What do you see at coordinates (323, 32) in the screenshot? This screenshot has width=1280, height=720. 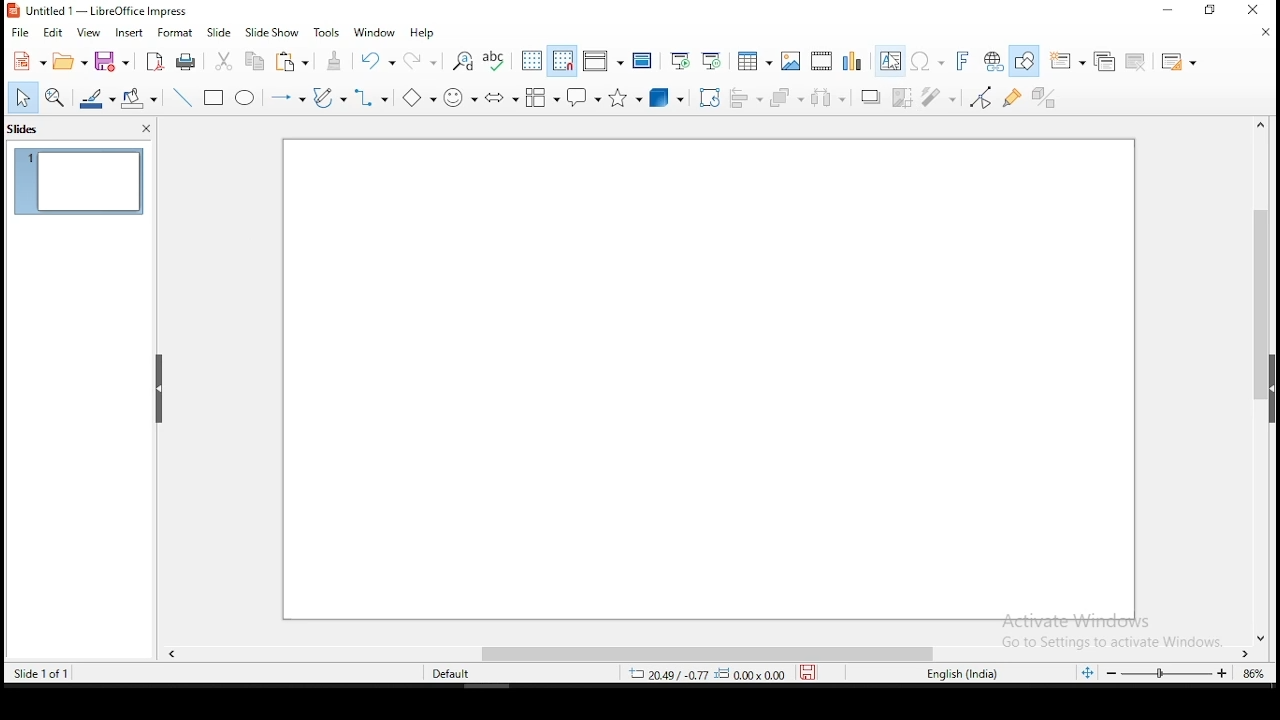 I see `tools` at bounding box center [323, 32].